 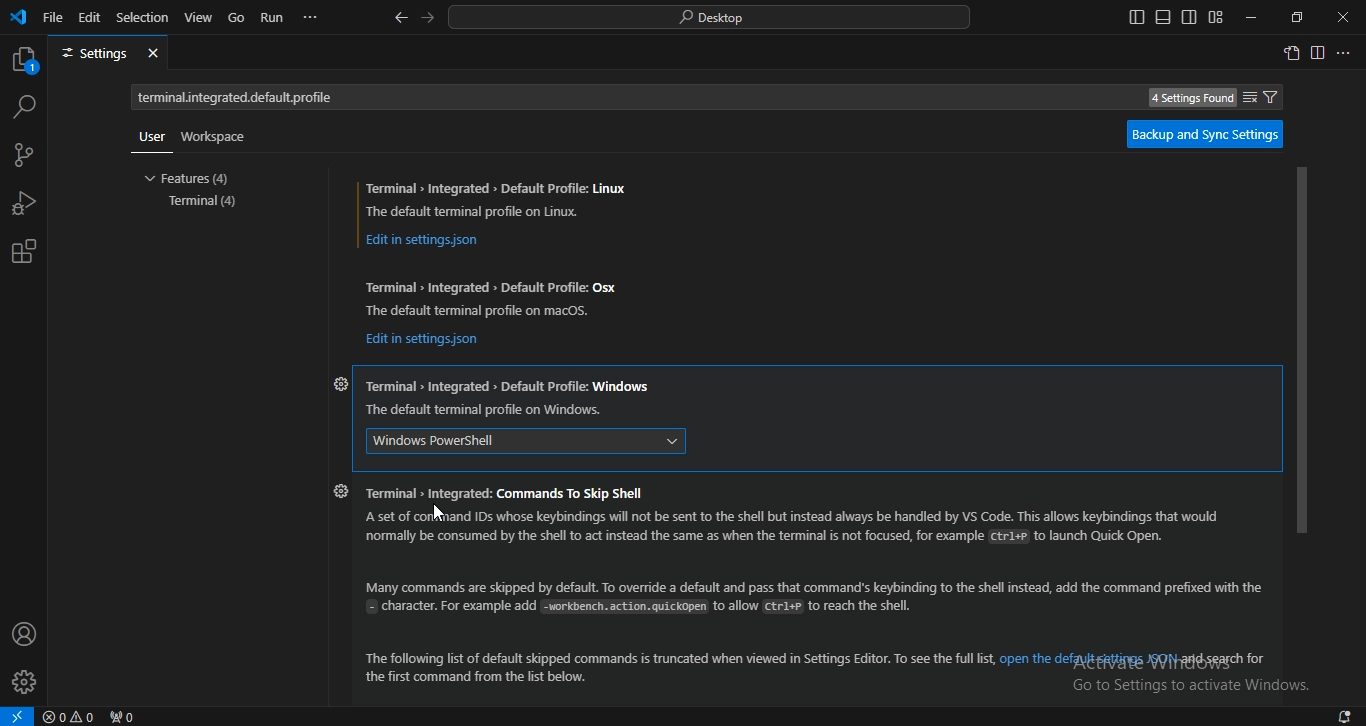 What do you see at coordinates (1346, 717) in the screenshot?
I see `notifications` at bounding box center [1346, 717].